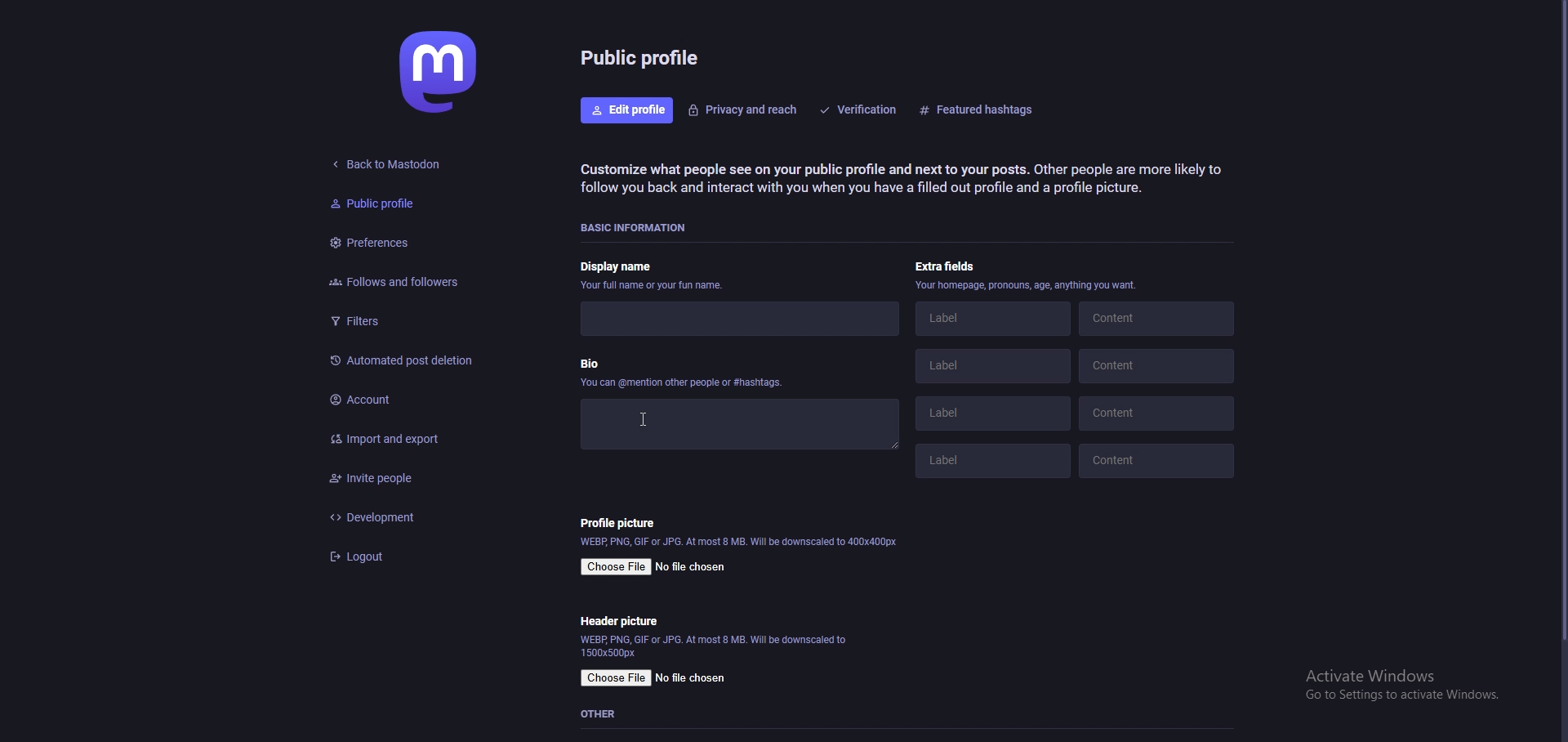  Describe the element at coordinates (989, 462) in the screenshot. I see `label` at that location.